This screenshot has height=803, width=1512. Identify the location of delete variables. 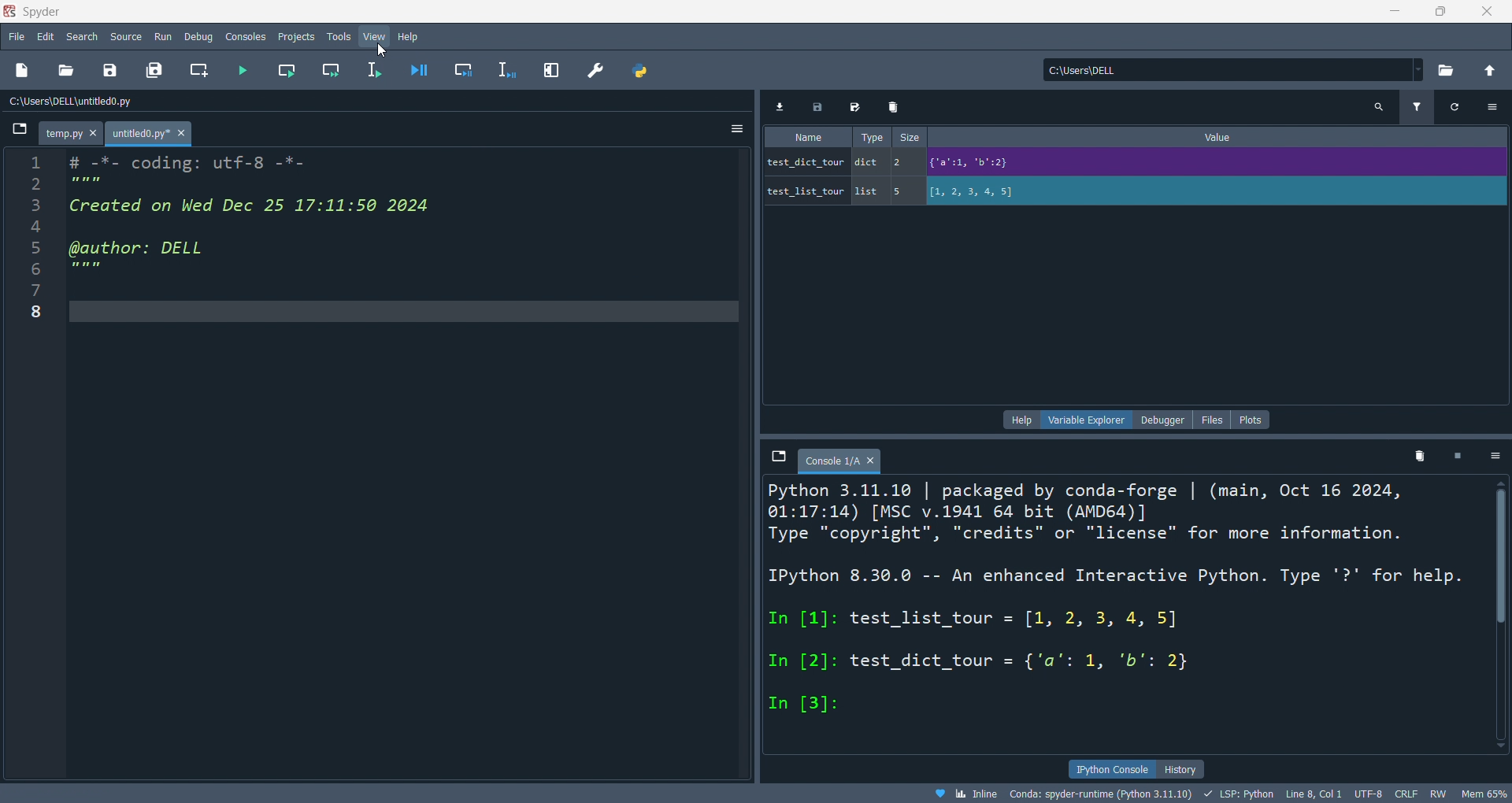
(1417, 459).